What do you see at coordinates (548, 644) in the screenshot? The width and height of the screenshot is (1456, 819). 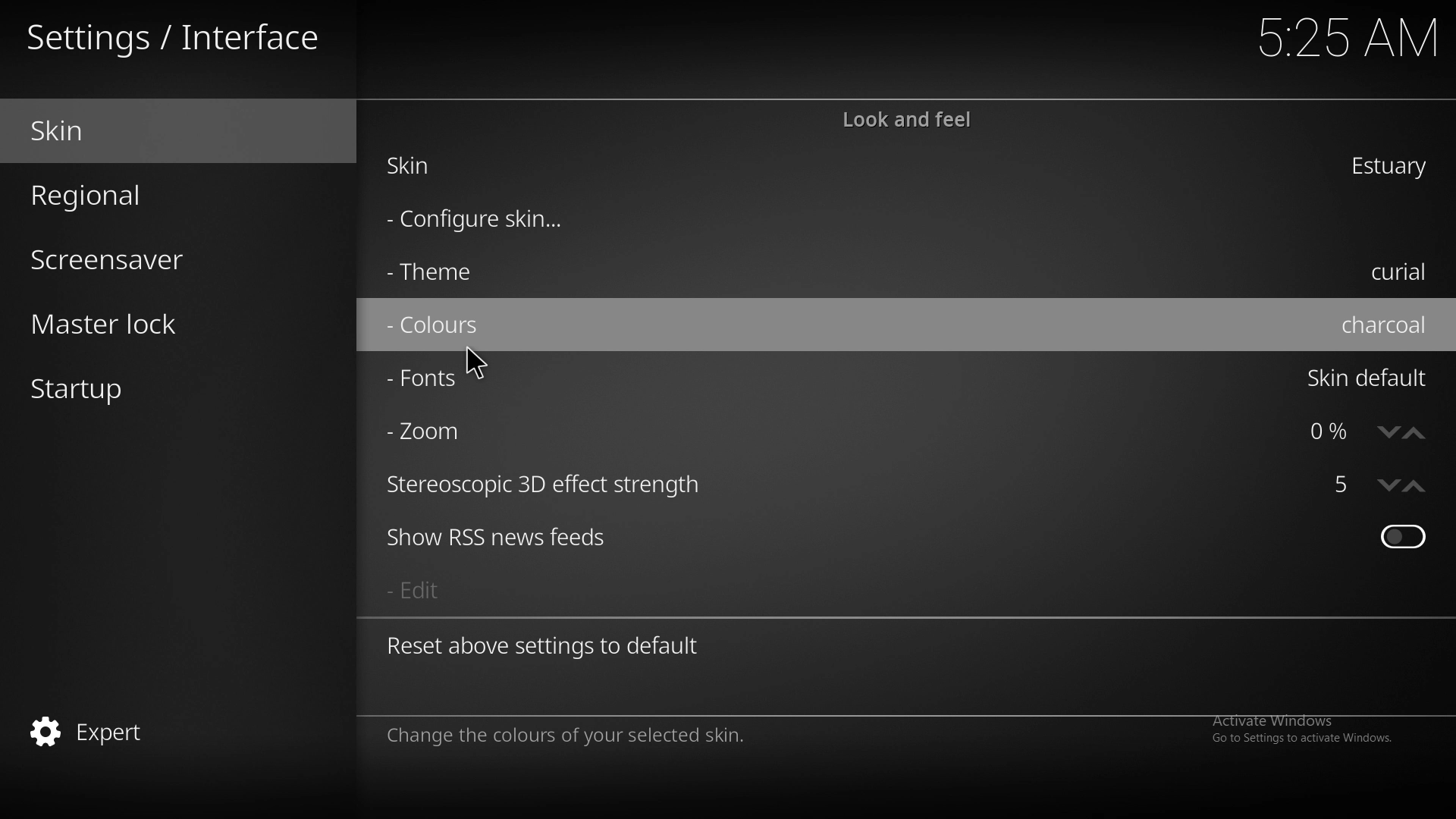 I see `reset` at bounding box center [548, 644].